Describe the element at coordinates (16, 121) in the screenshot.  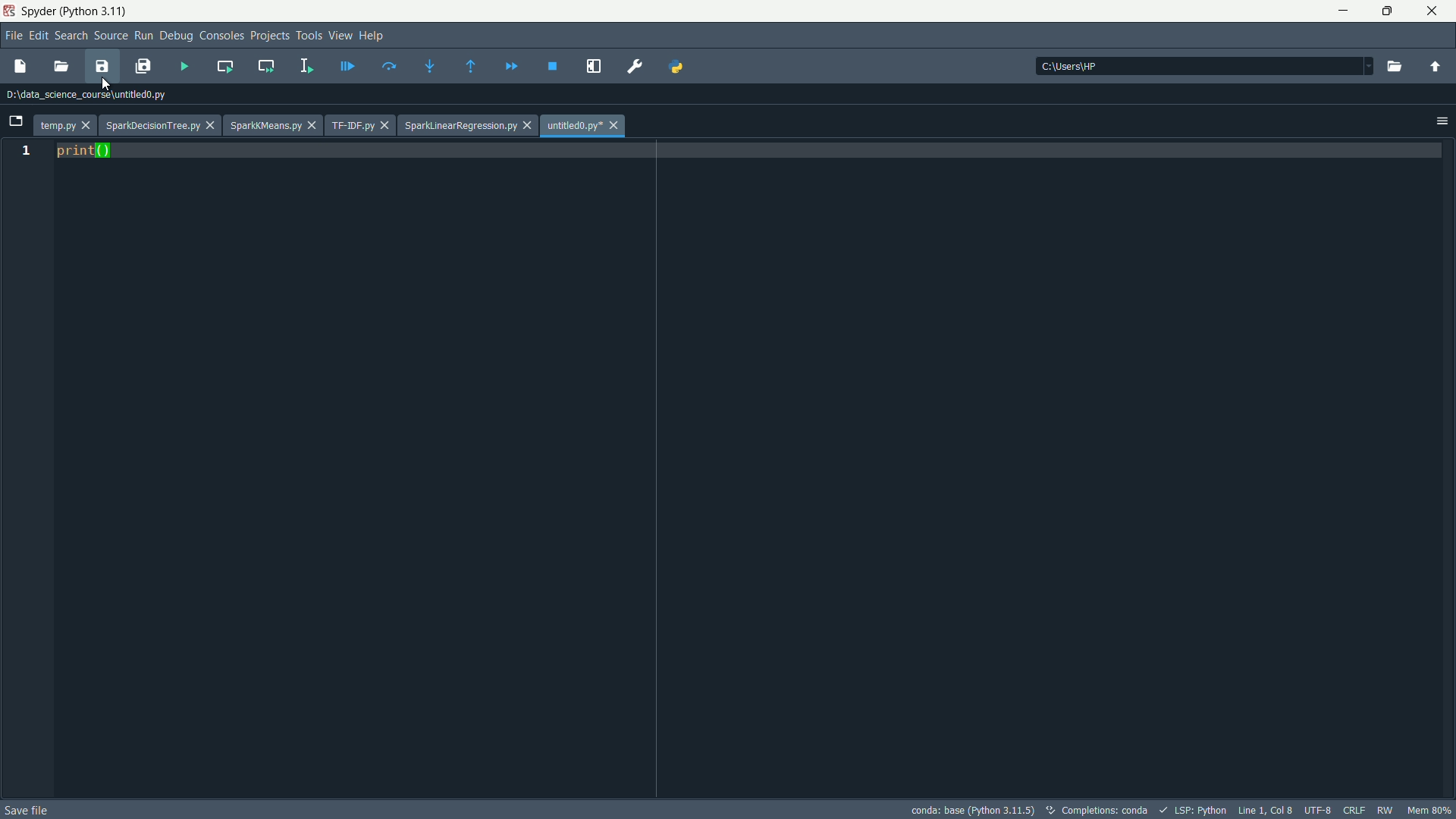
I see `browse tabs` at that location.